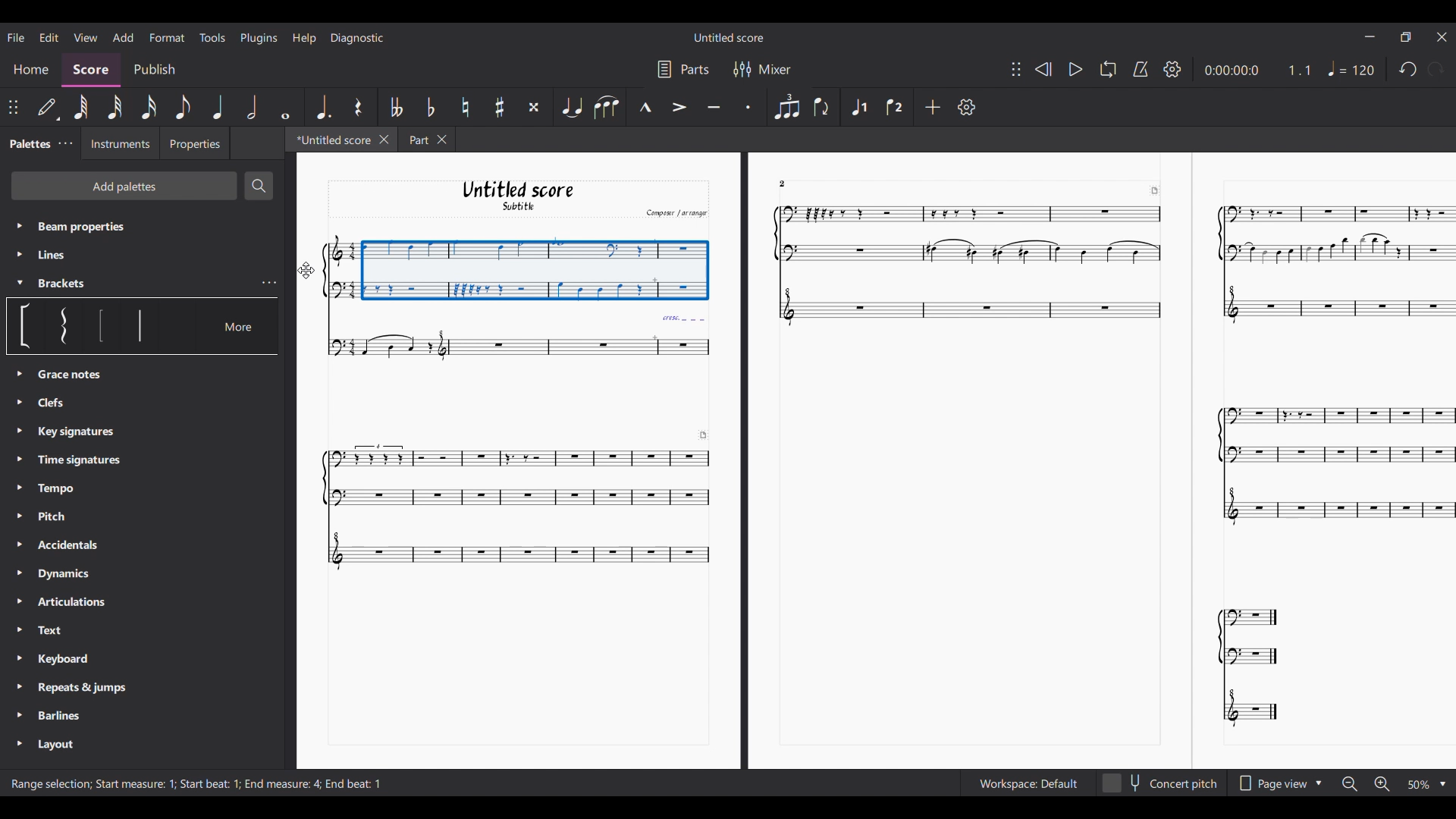 This screenshot has height=819, width=1456. Describe the element at coordinates (17, 574) in the screenshot. I see `` at that location.